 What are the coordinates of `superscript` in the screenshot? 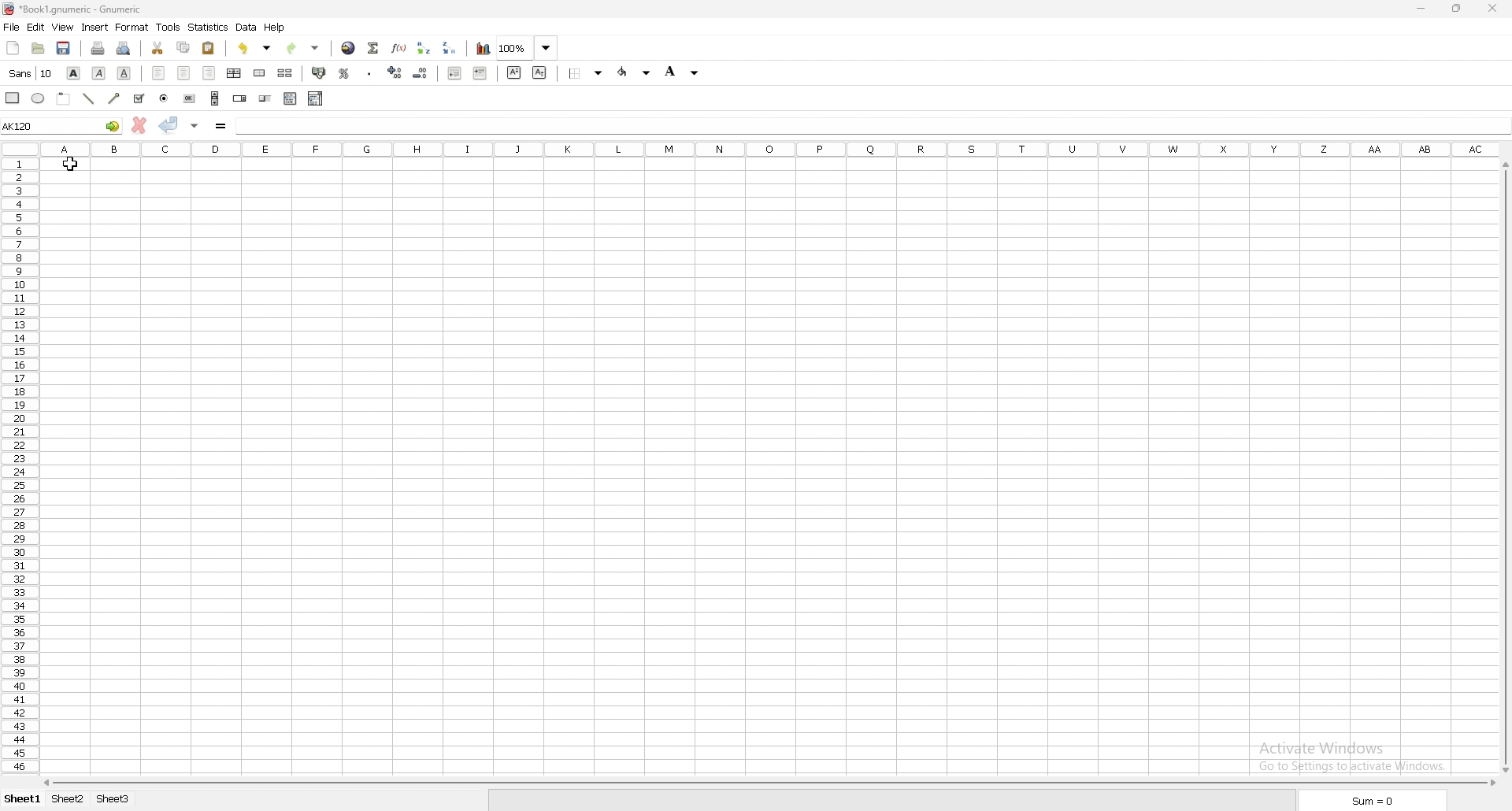 It's located at (515, 73).